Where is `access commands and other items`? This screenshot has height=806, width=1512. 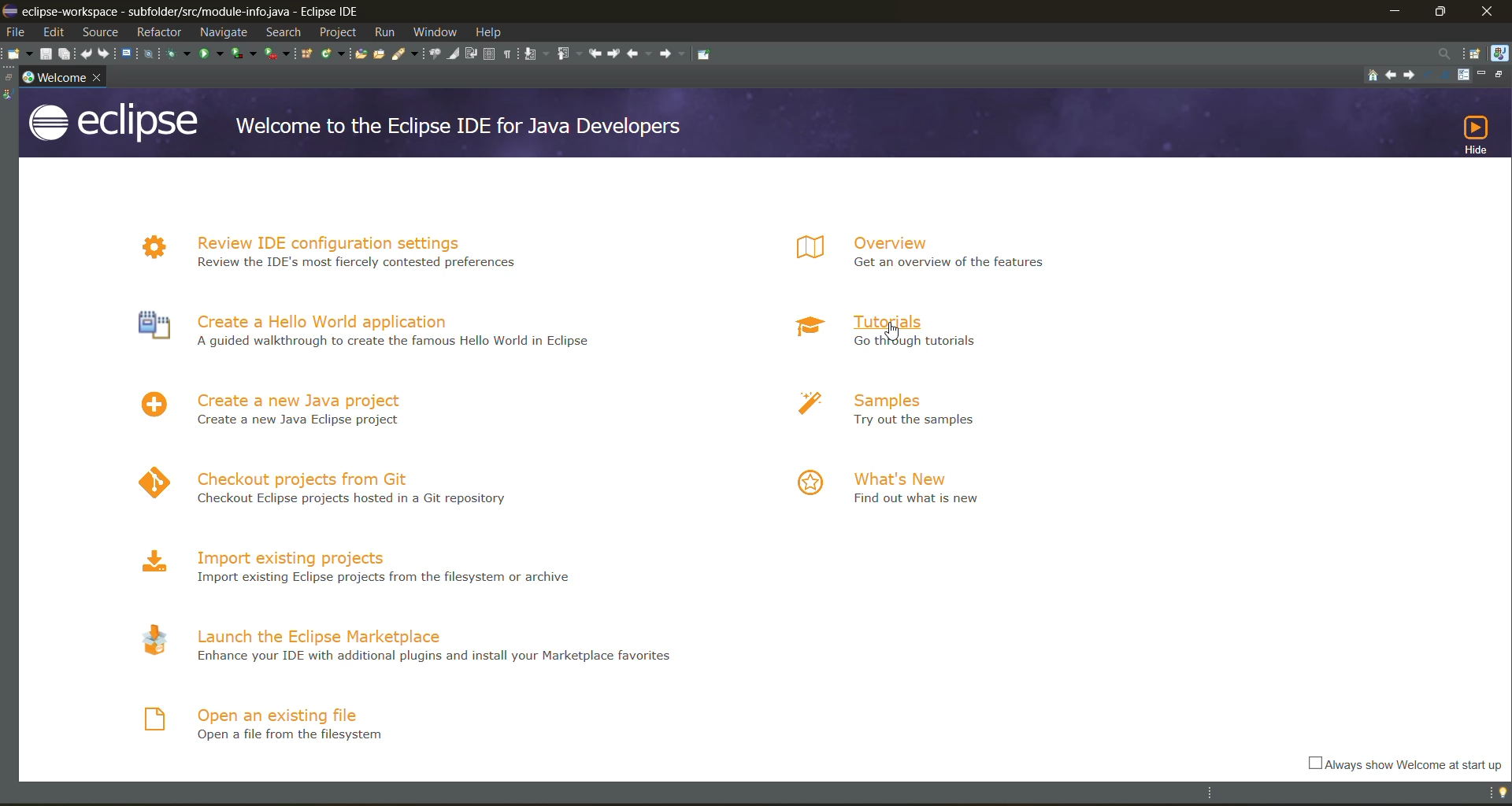
access commands and other items is located at coordinates (1445, 53).